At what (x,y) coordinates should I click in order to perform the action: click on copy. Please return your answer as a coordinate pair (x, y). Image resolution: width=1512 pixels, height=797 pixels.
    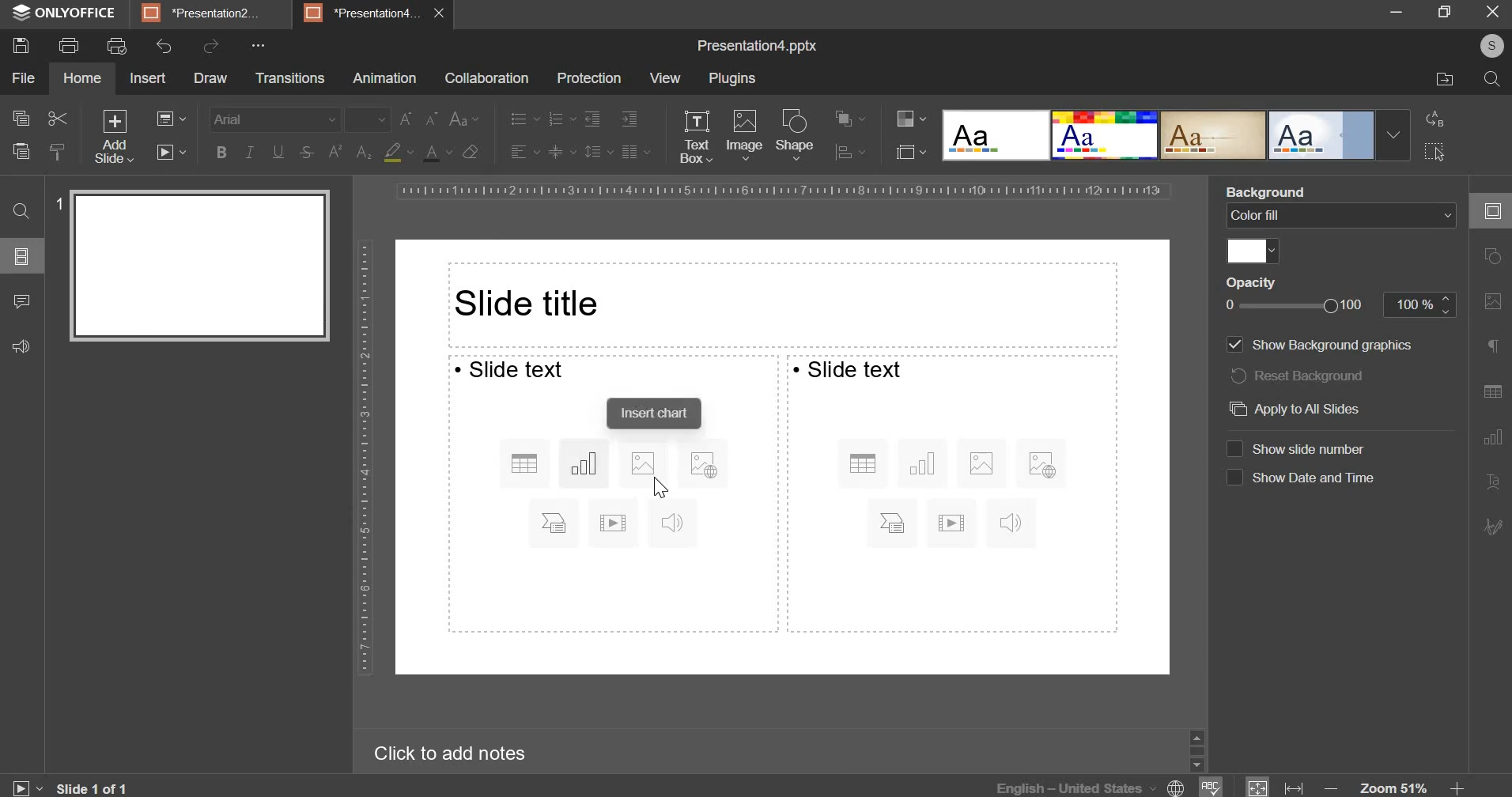
    Looking at the image, I should click on (20, 119).